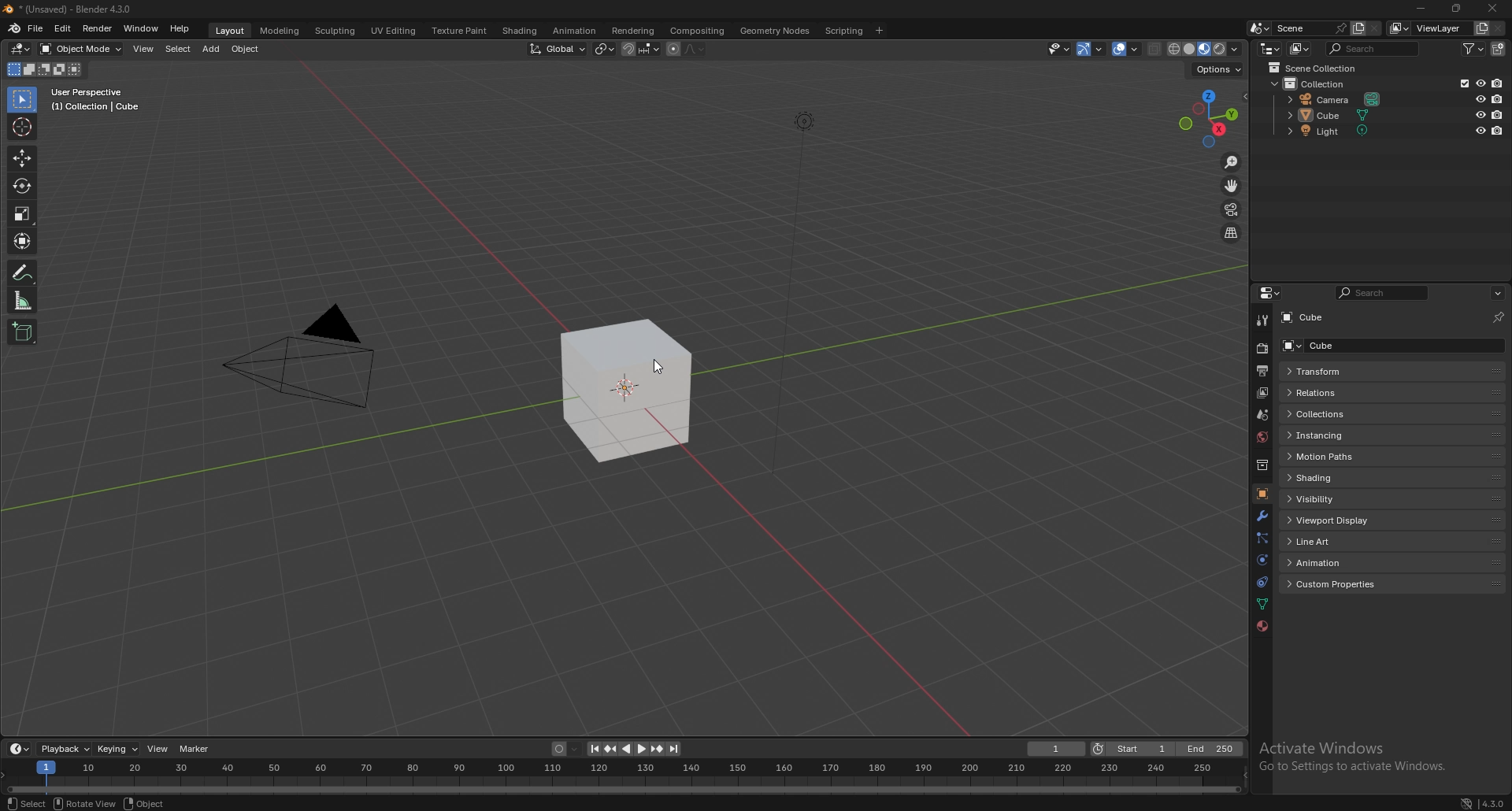 Image resolution: width=1512 pixels, height=811 pixels. What do you see at coordinates (1368, 372) in the screenshot?
I see `transform` at bounding box center [1368, 372].